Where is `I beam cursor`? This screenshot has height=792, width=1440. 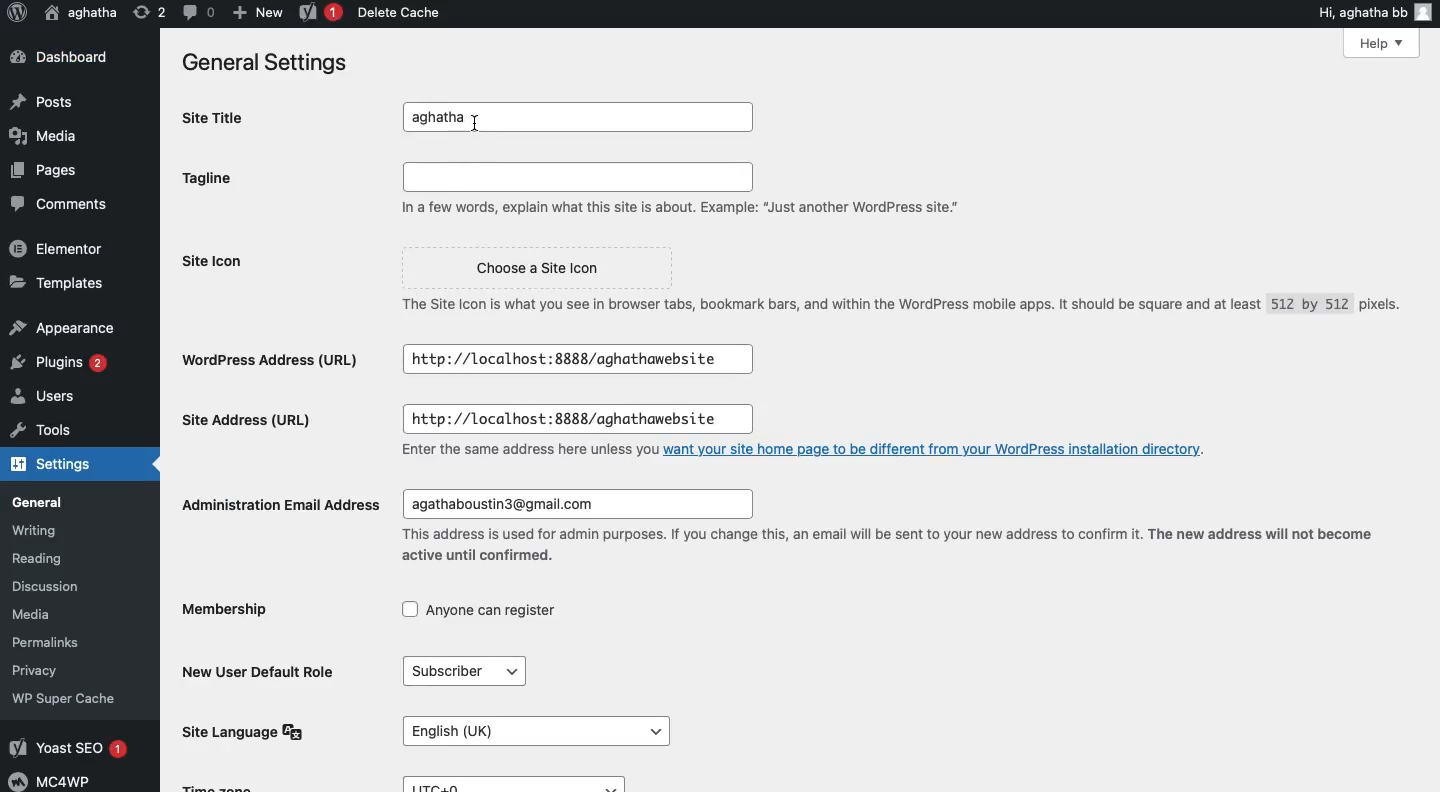
I beam cursor is located at coordinates (479, 124).